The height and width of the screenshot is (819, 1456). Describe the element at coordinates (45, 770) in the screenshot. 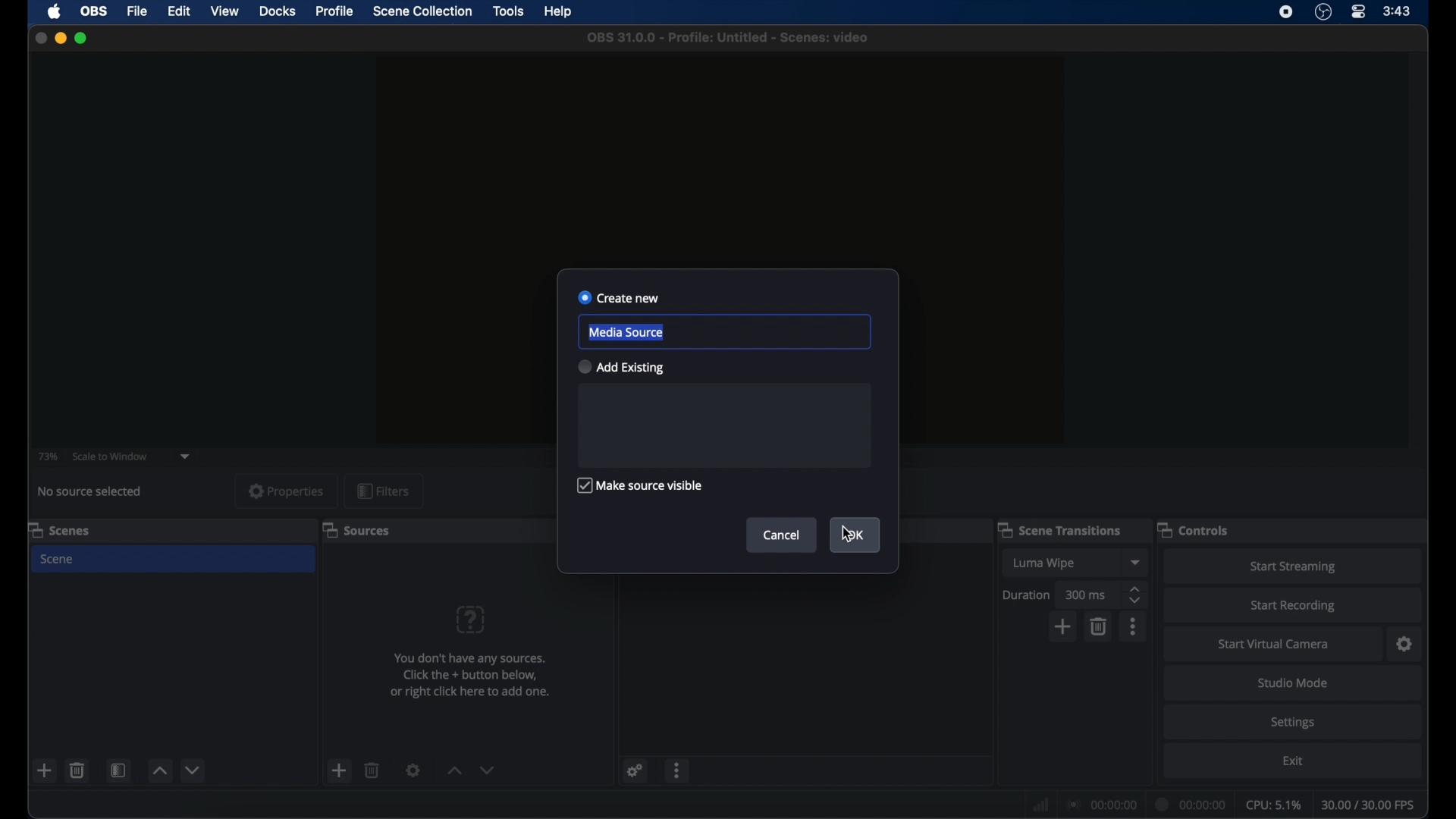

I see `add` at that location.